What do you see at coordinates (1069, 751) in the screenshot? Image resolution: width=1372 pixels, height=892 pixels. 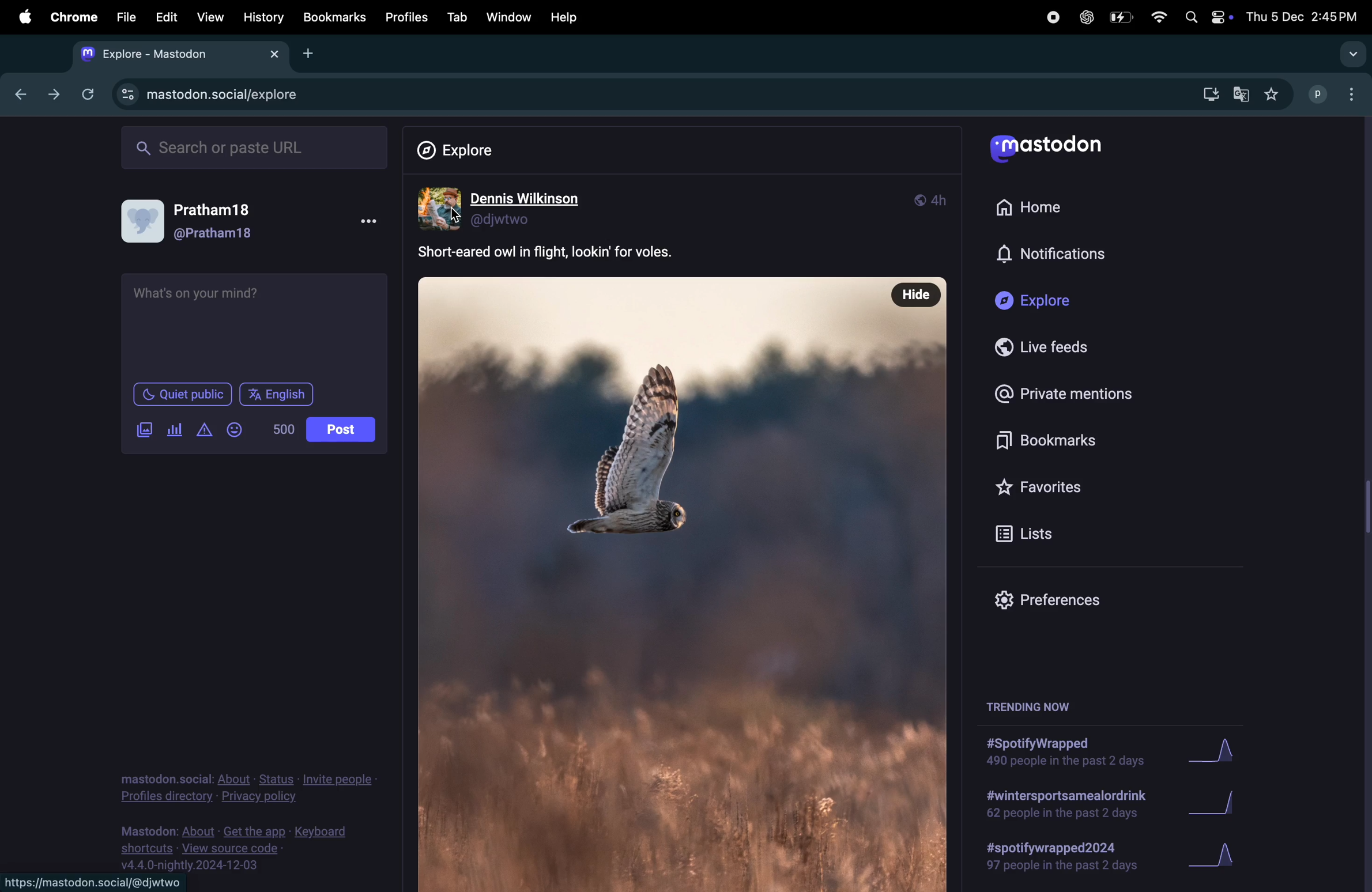 I see `#spotify wrapped` at bounding box center [1069, 751].